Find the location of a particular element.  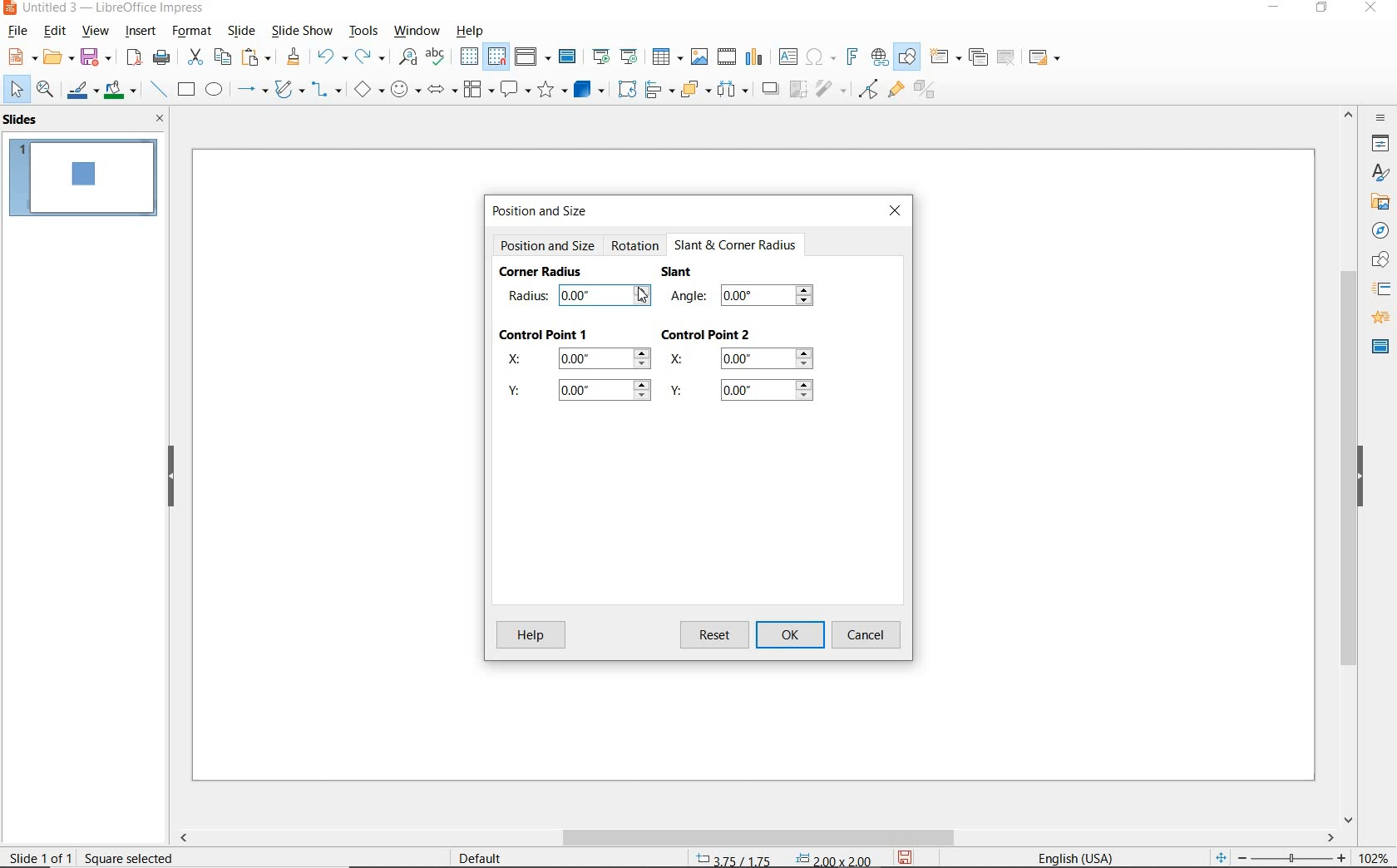

delete slide is located at coordinates (1009, 57).